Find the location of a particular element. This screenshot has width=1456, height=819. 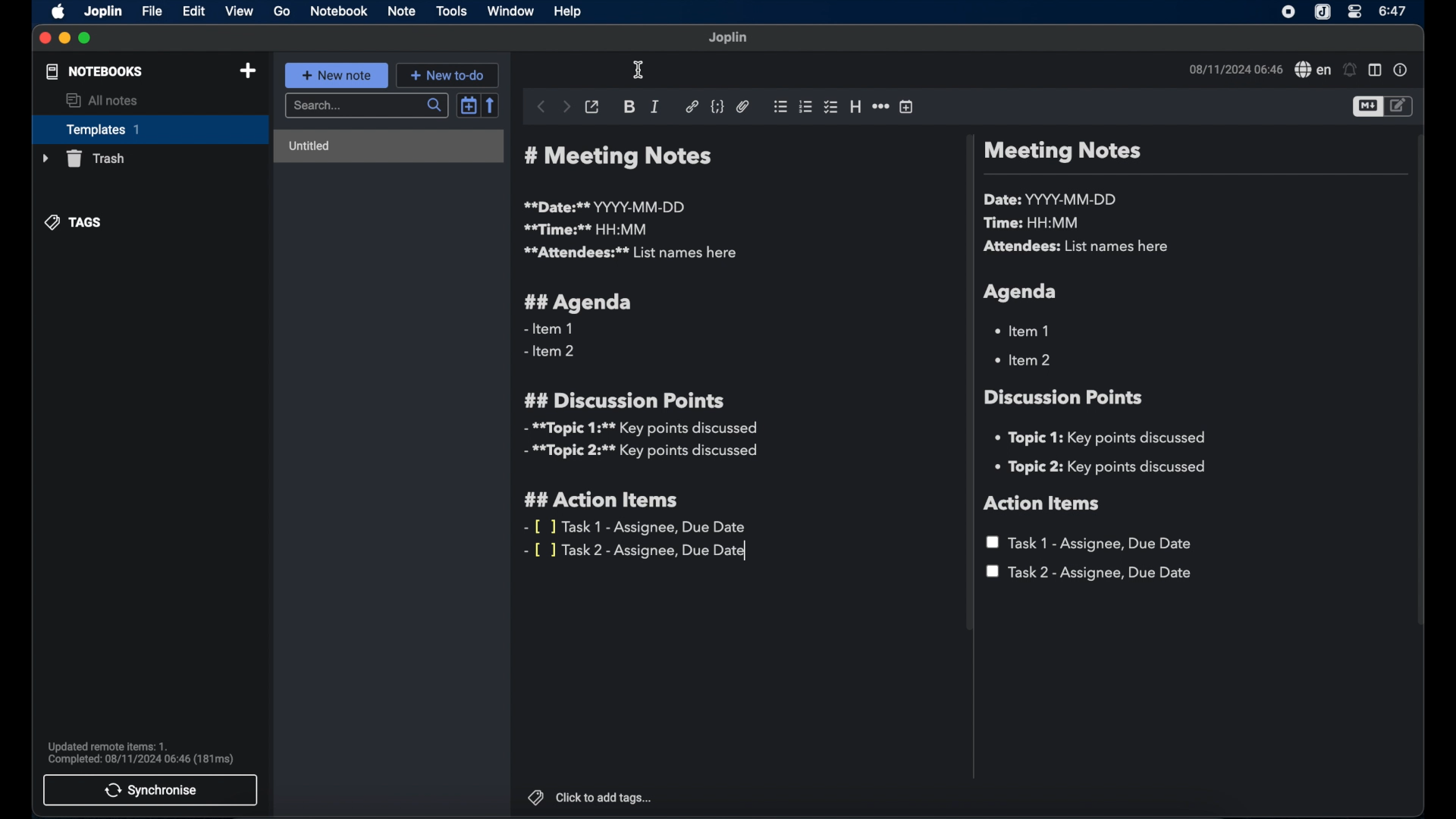

trash is located at coordinates (82, 158).